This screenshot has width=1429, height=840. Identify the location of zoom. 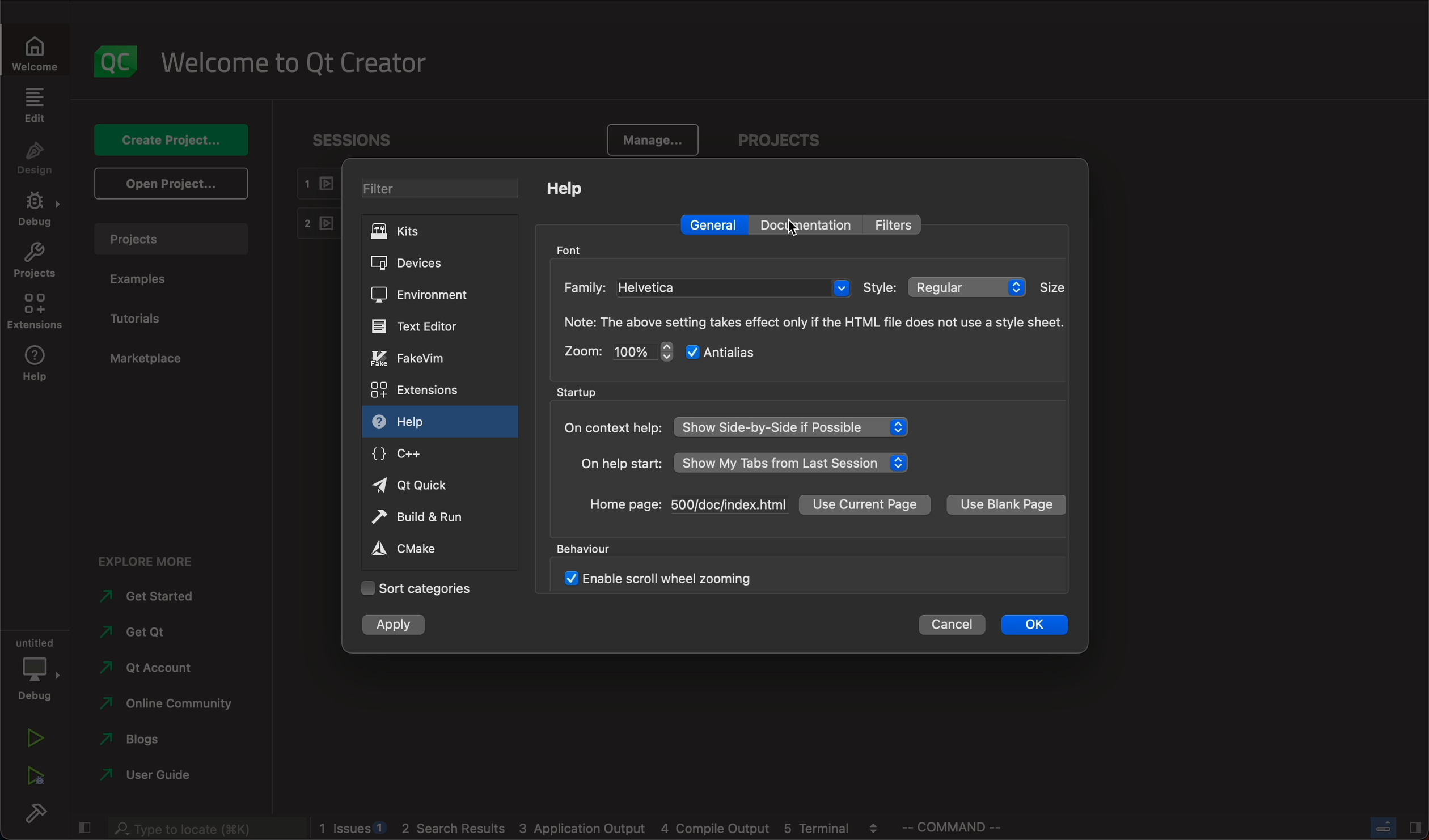
(614, 353).